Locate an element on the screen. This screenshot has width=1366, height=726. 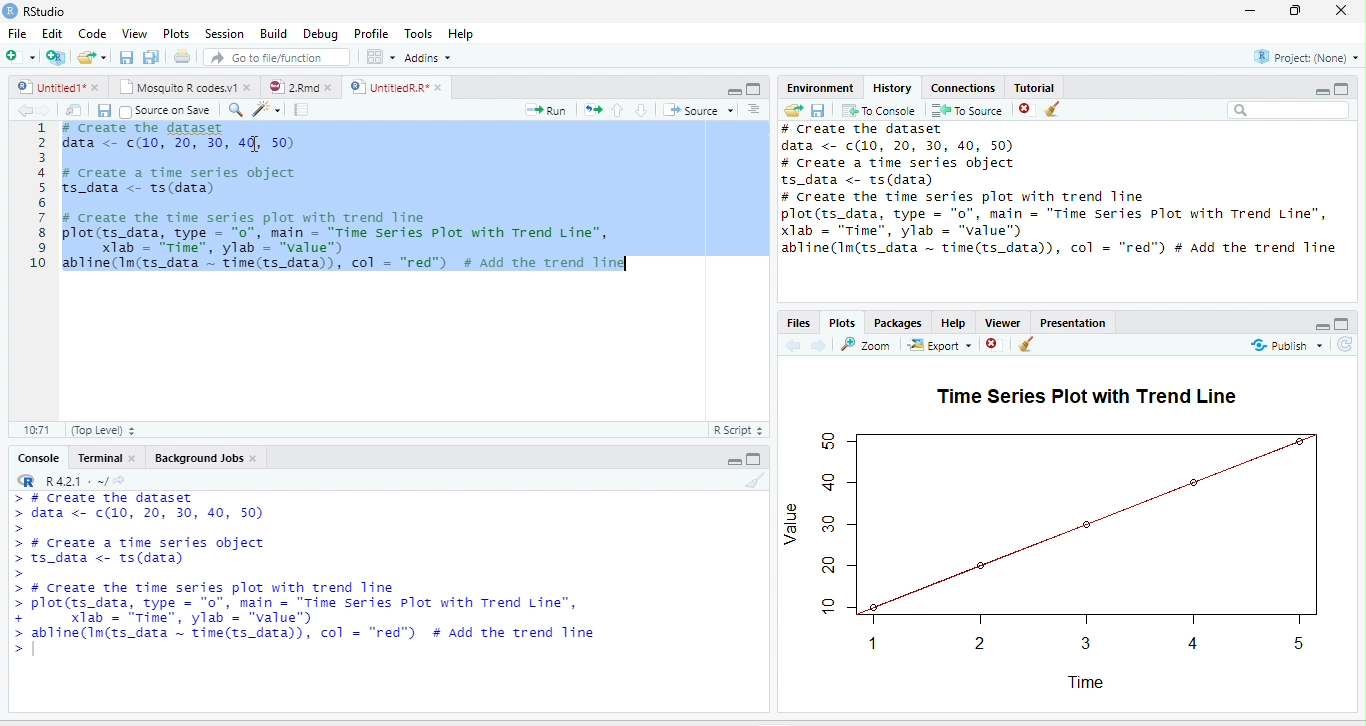
# Create the gataset

data <- (10, 20, 30, 4], 50)

# create a time series object

ts_data <- ts(data)

# create the time series plot with trend line

plot(ts_data, type = “0”, main = "Time series Plot with Trend Line",
X1ab - “rime”, ylab'= “value")

abline(Im(ts_data ~ time(ts_data)), col = "red”) # Add the trend line is located at coordinates (347, 200).